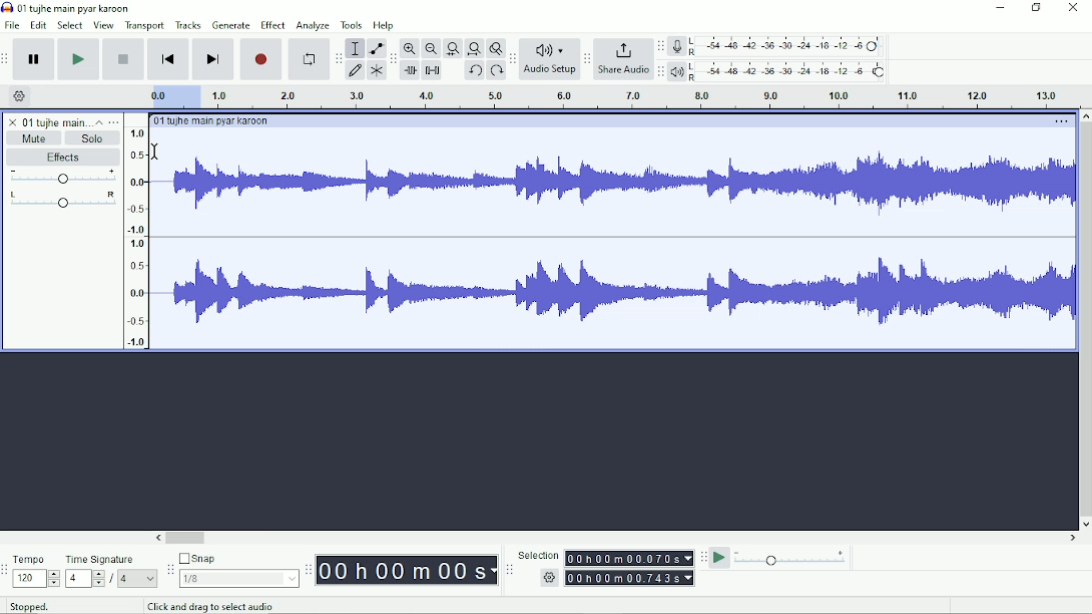  Describe the element at coordinates (475, 72) in the screenshot. I see `Undo` at that location.